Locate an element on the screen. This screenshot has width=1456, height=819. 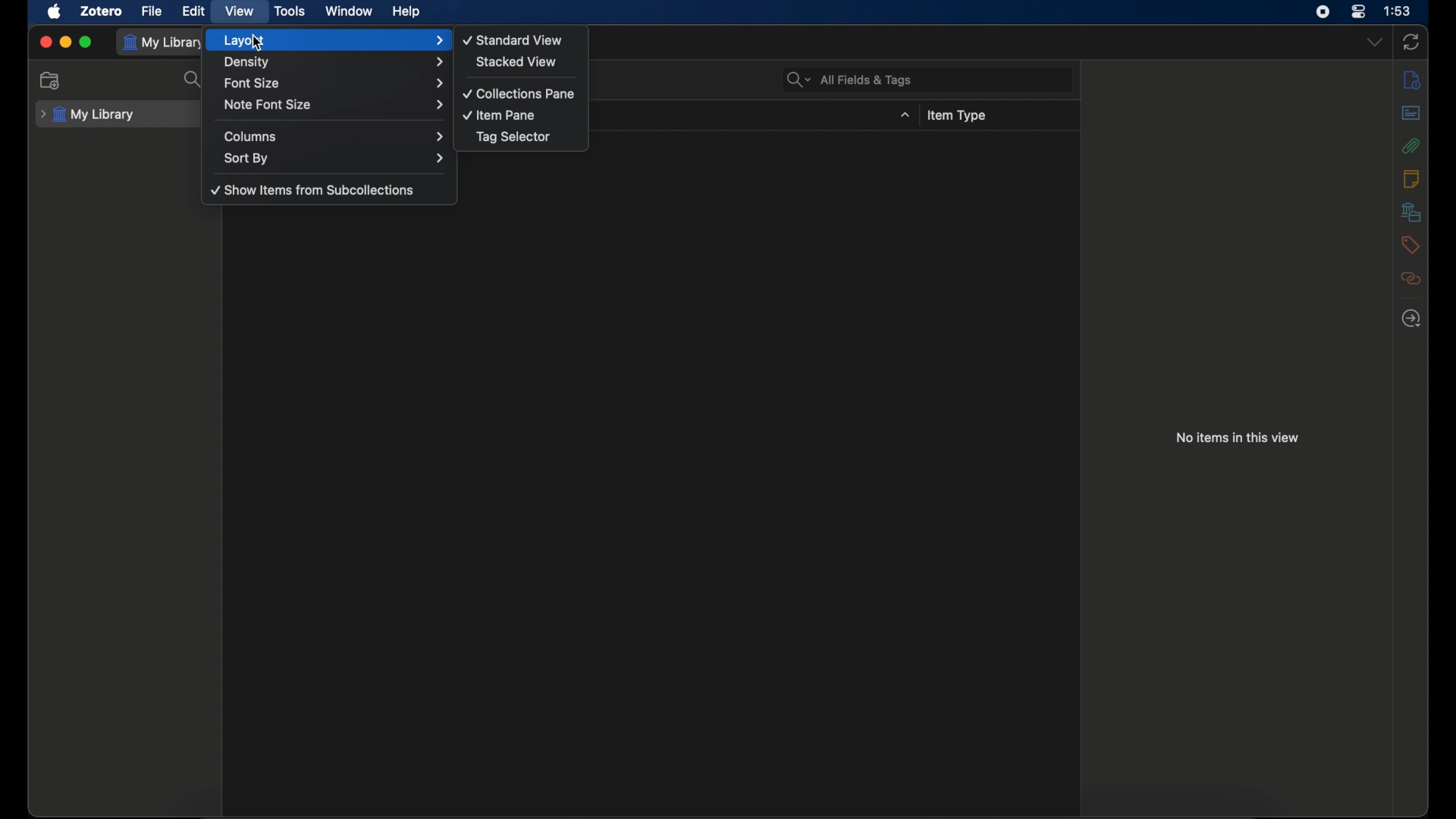
sync is located at coordinates (1410, 42).